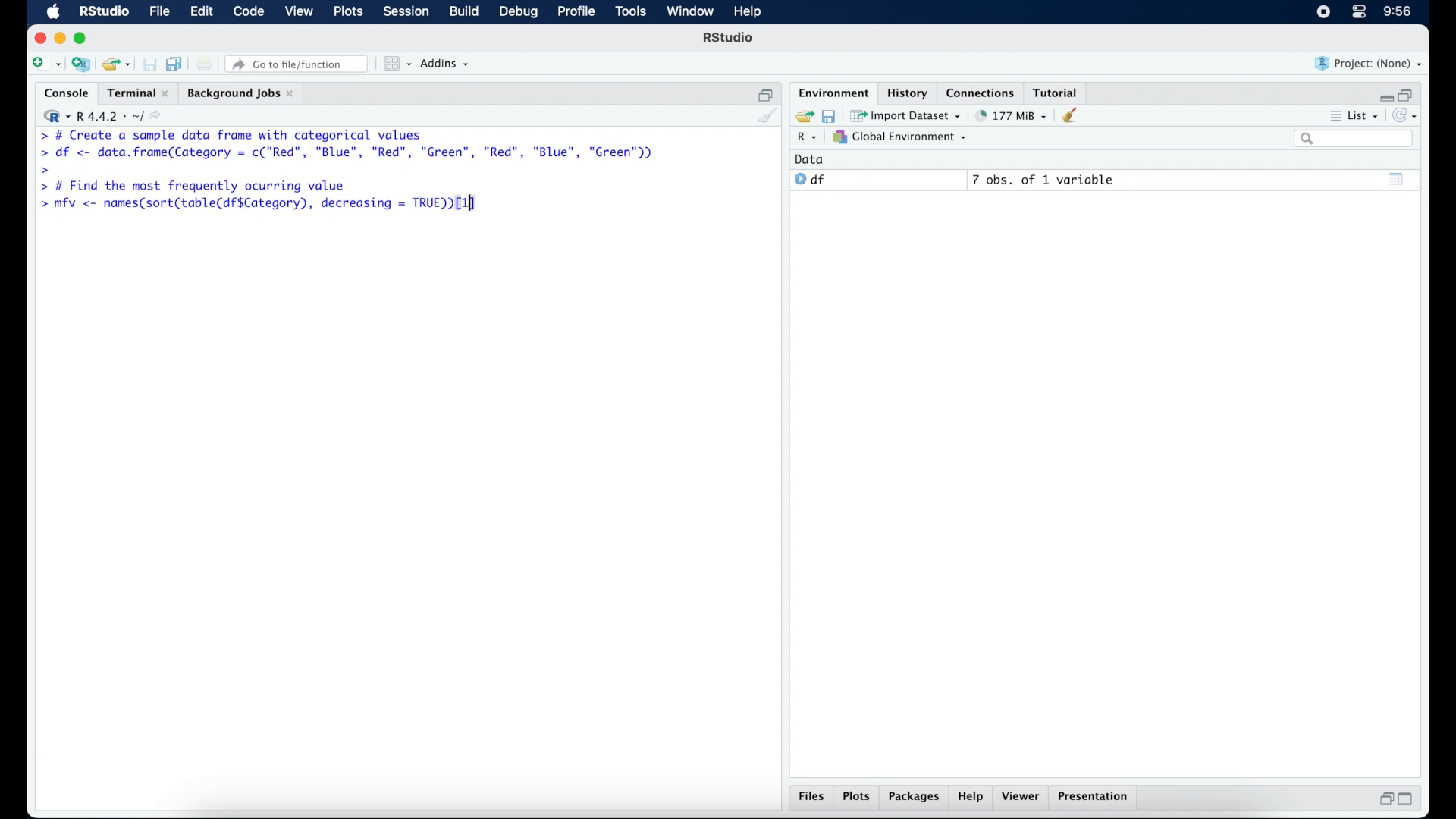 This screenshot has height=819, width=1456. What do you see at coordinates (117, 64) in the screenshot?
I see `open an existing project` at bounding box center [117, 64].